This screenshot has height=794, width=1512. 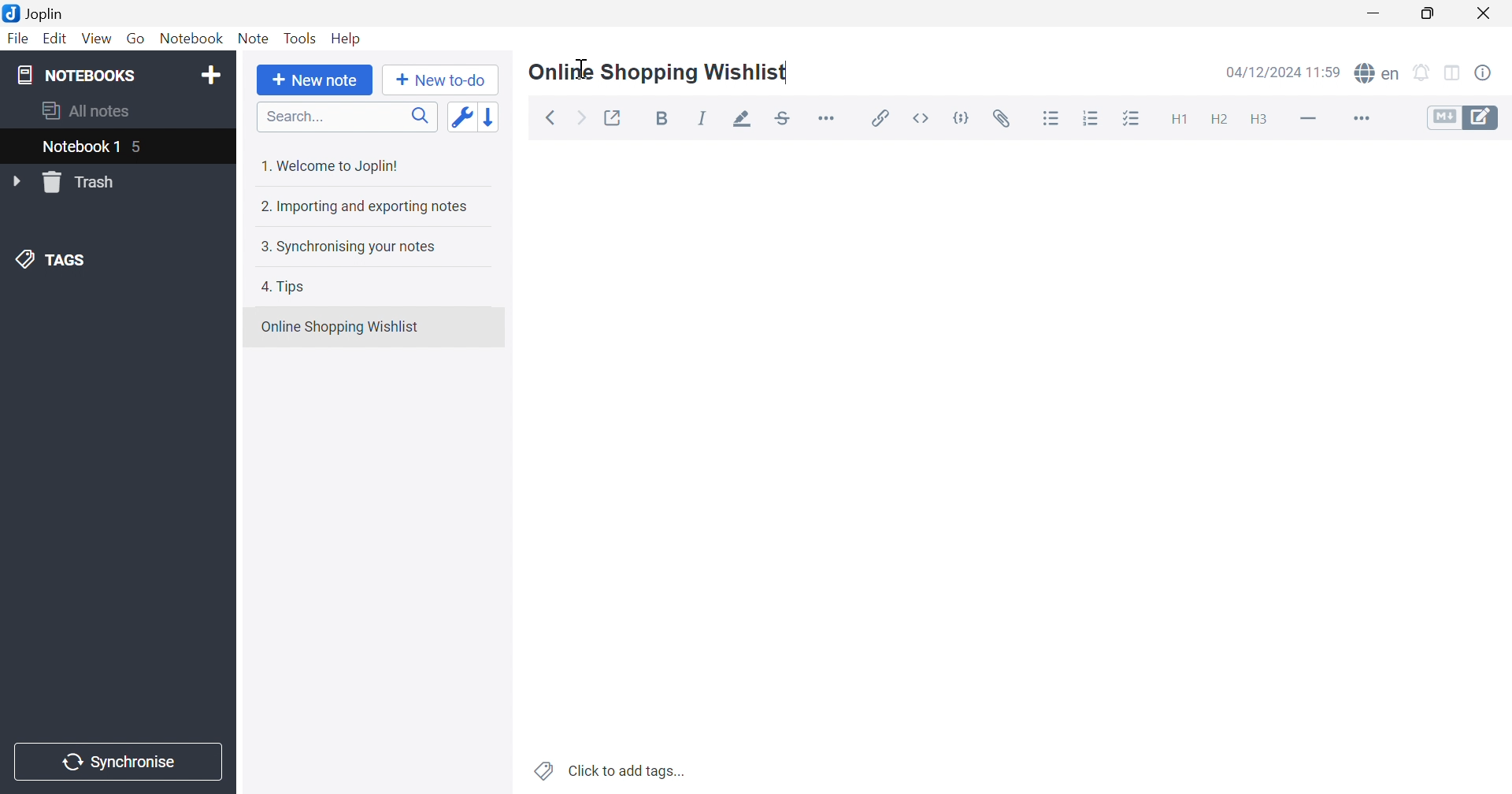 What do you see at coordinates (584, 68) in the screenshot?
I see `Typing Cursor` at bounding box center [584, 68].